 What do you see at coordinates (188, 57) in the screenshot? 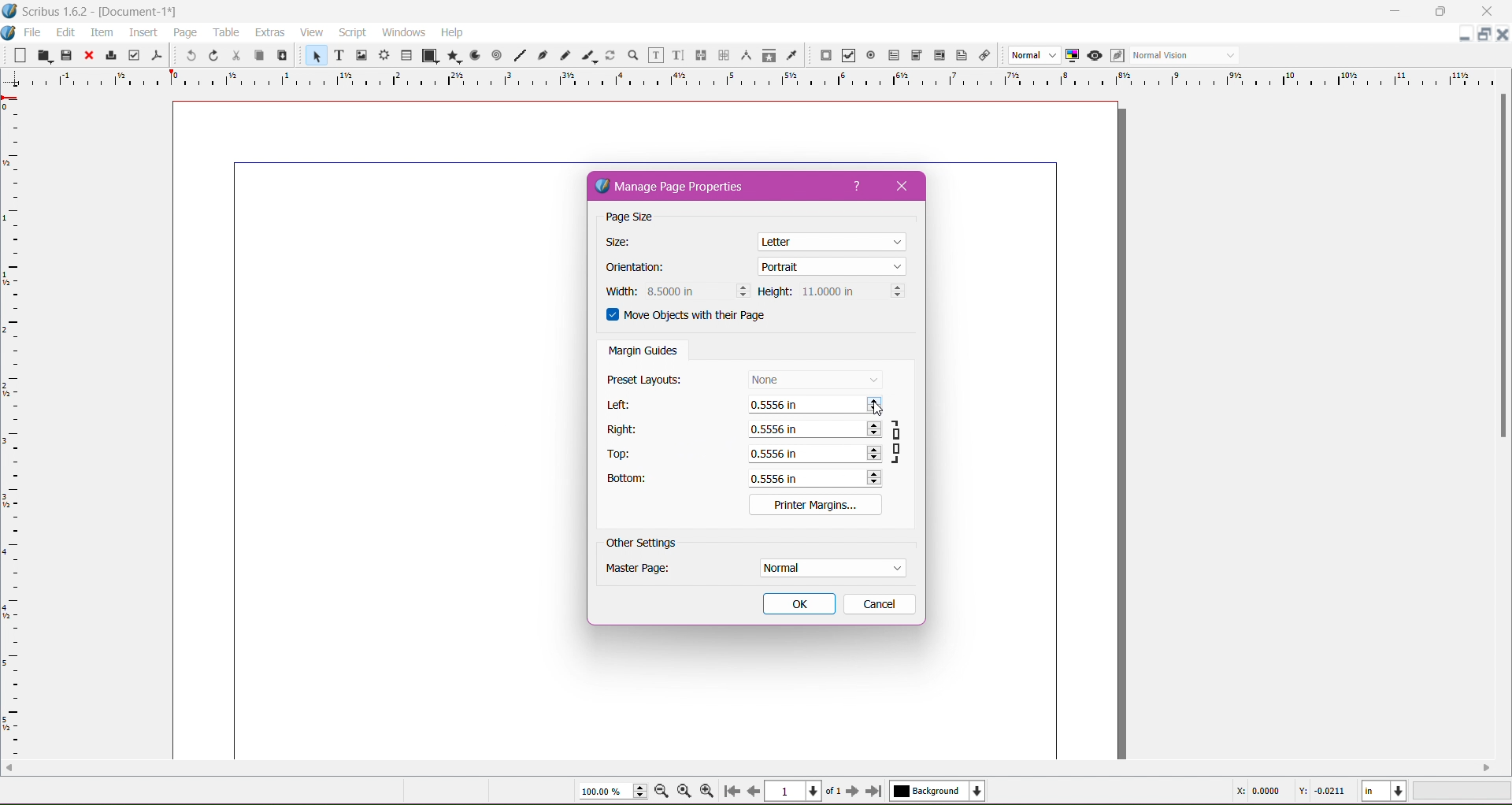
I see `Undo` at bounding box center [188, 57].